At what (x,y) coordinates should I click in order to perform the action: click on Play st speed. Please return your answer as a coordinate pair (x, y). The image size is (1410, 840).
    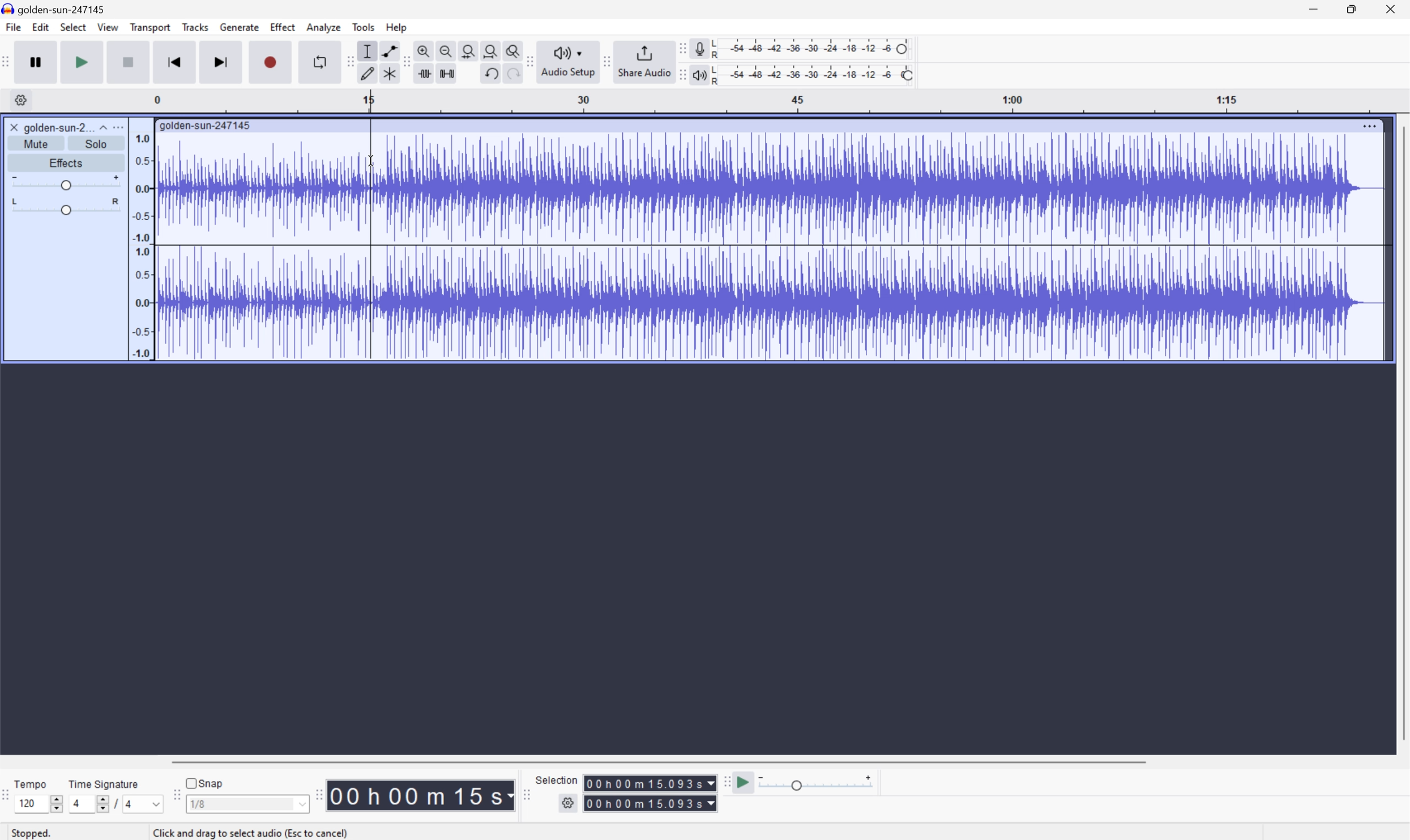
    Looking at the image, I should click on (745, 783).